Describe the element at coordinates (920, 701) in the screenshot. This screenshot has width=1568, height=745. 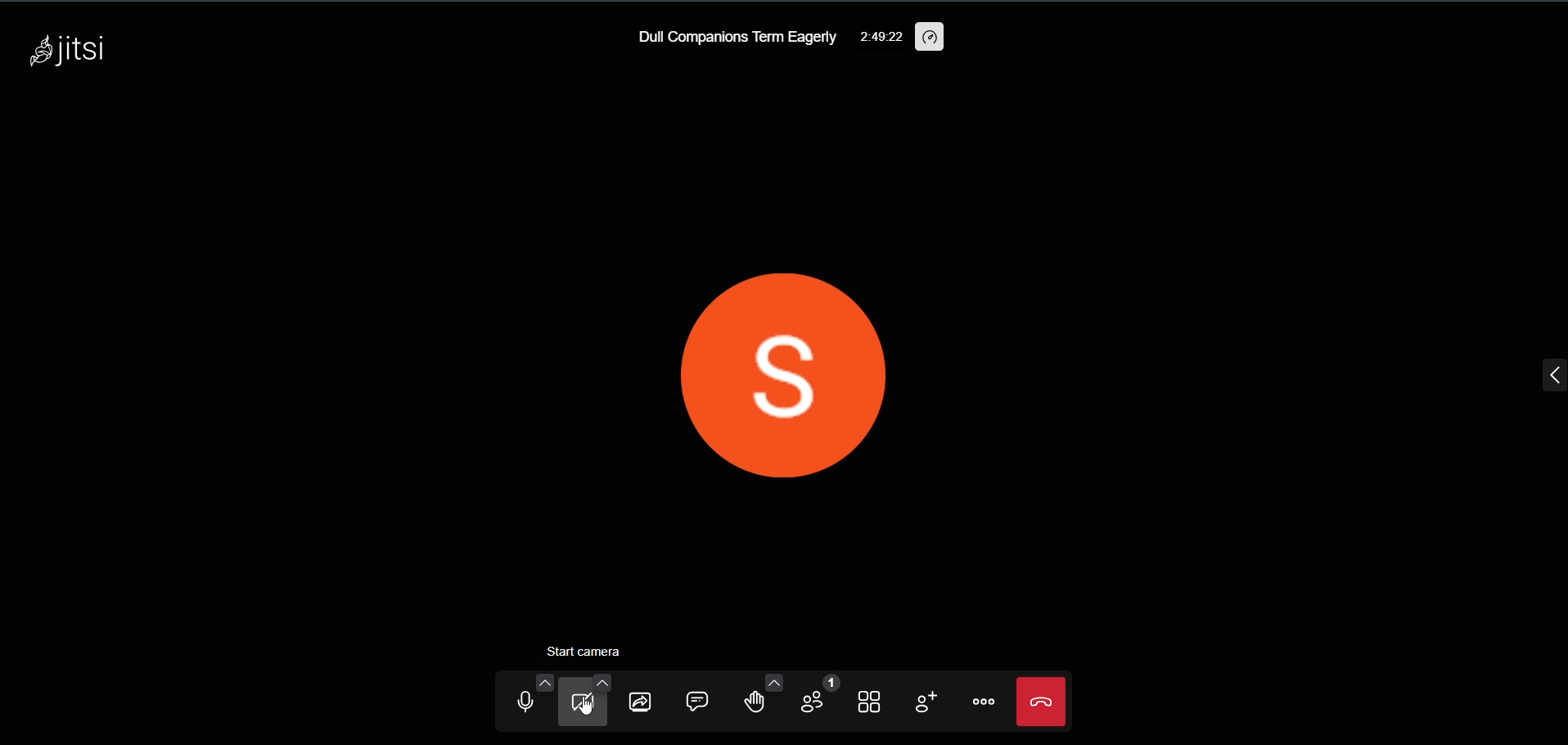
I see `invite people` at that location.